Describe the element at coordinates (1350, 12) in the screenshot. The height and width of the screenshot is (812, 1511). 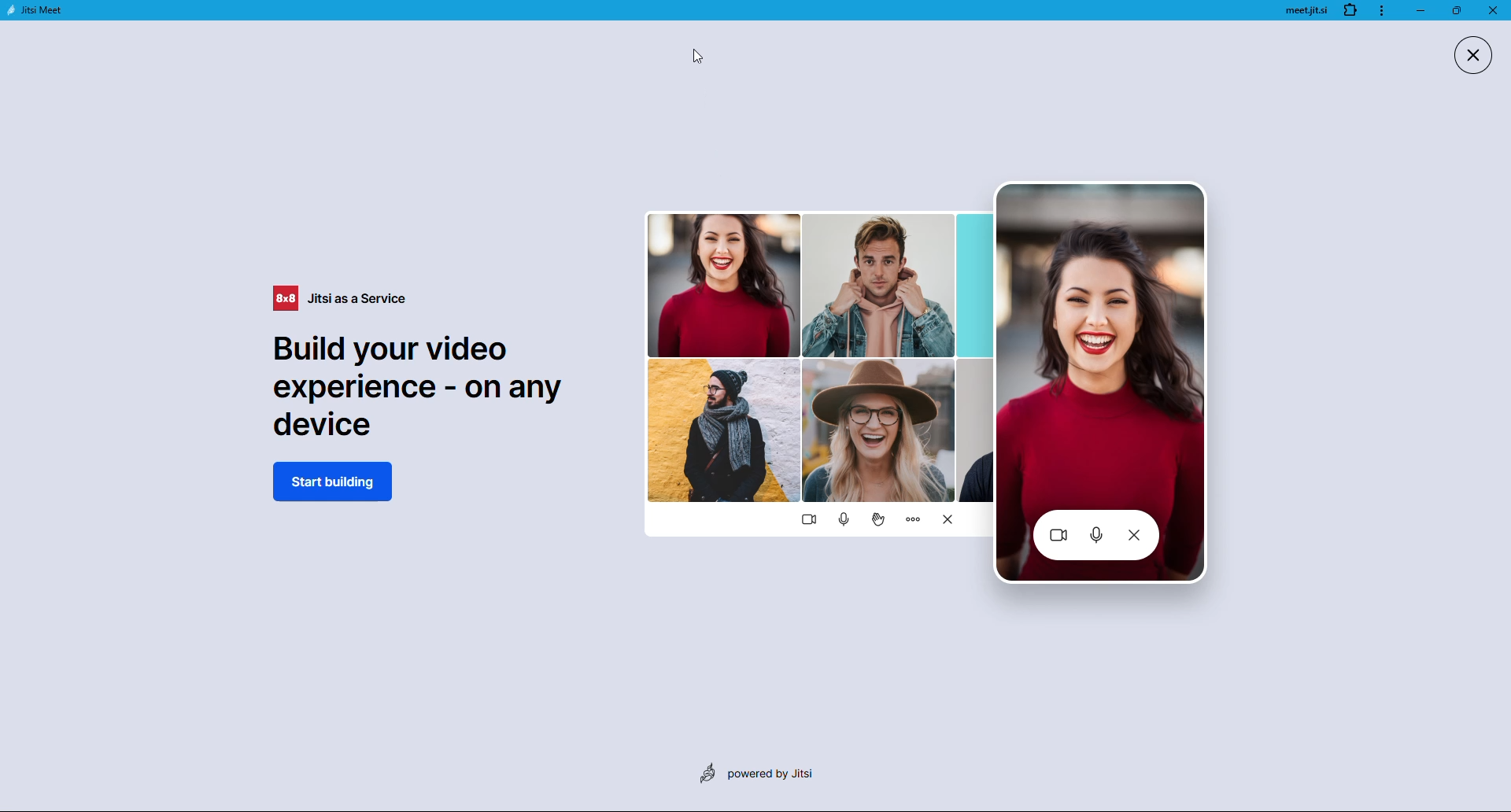
I see `extension` at that location.